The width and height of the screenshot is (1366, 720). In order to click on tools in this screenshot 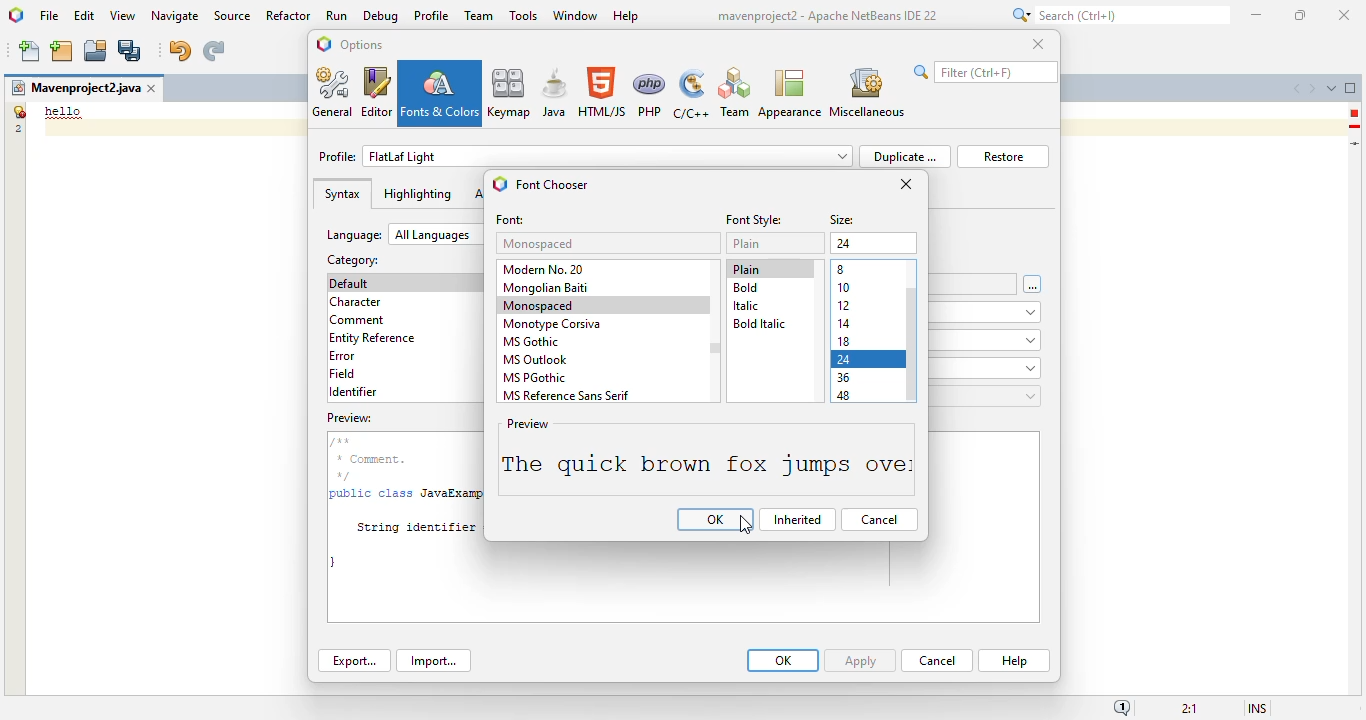, I will do `click(523, 15)`.